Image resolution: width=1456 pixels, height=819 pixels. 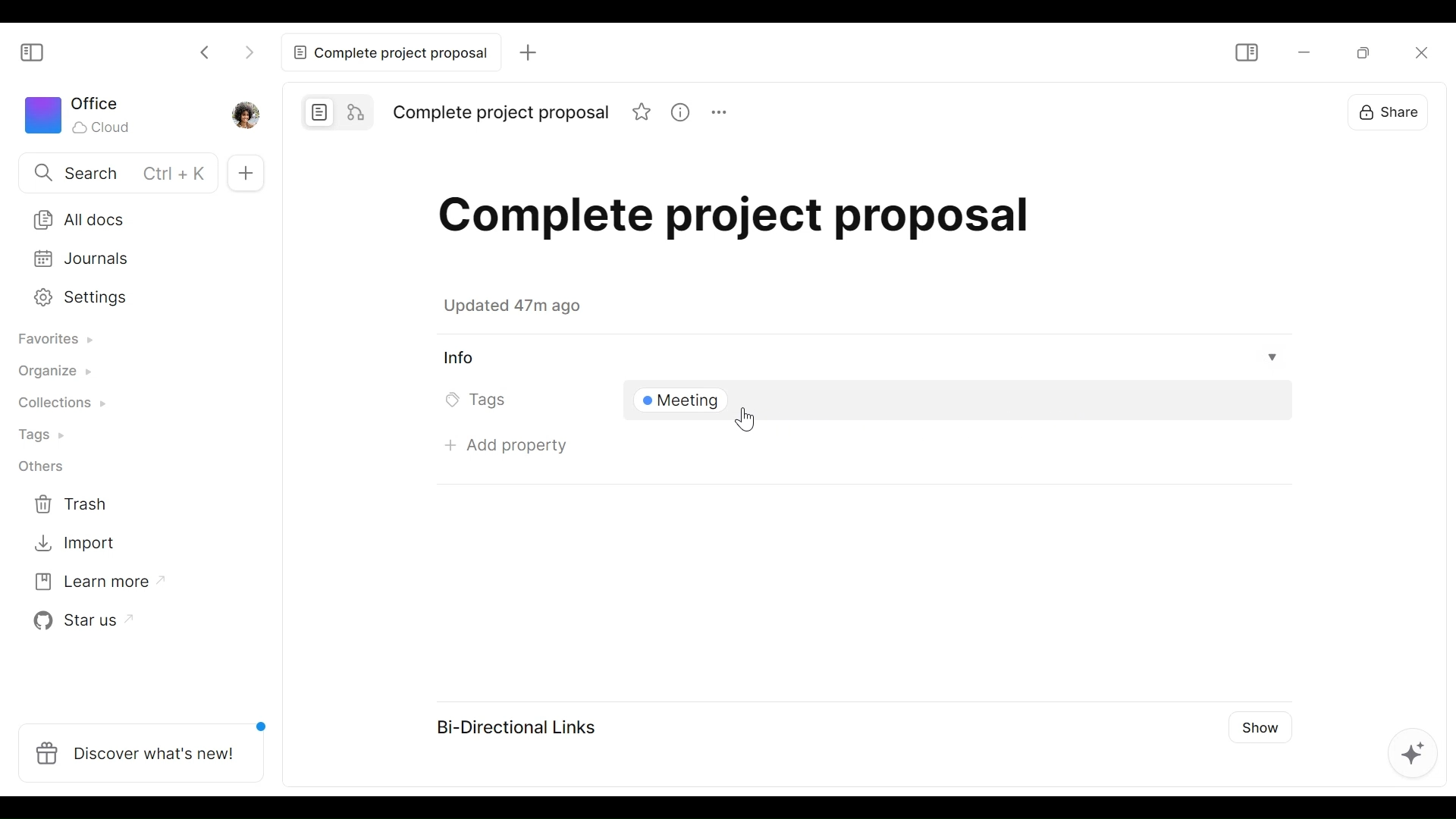 I want to click on Complete project proposal, so click(x=388, y=52).